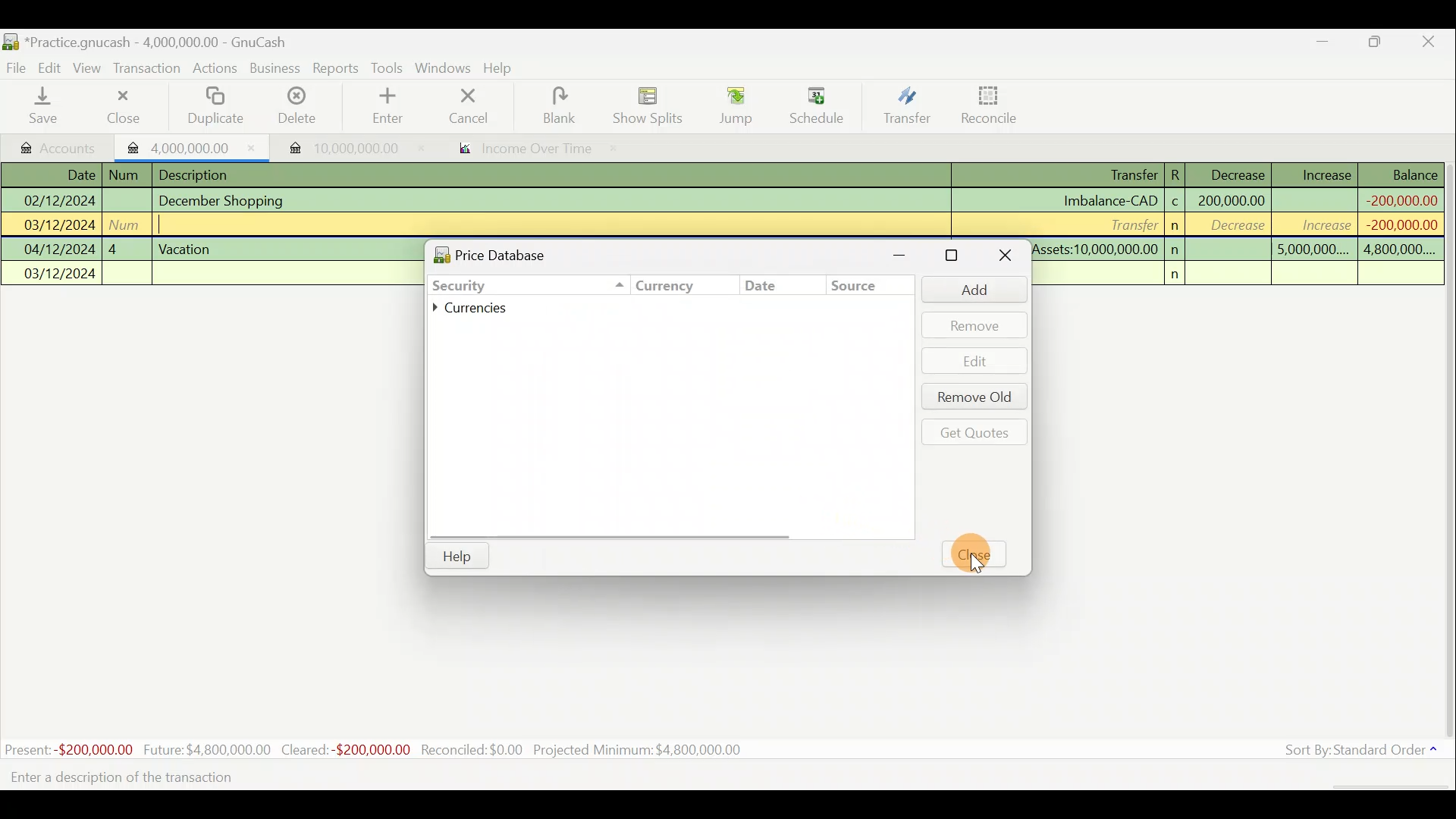 The image size is (1456, 819). I want to click on Price database, so click(524, 253).